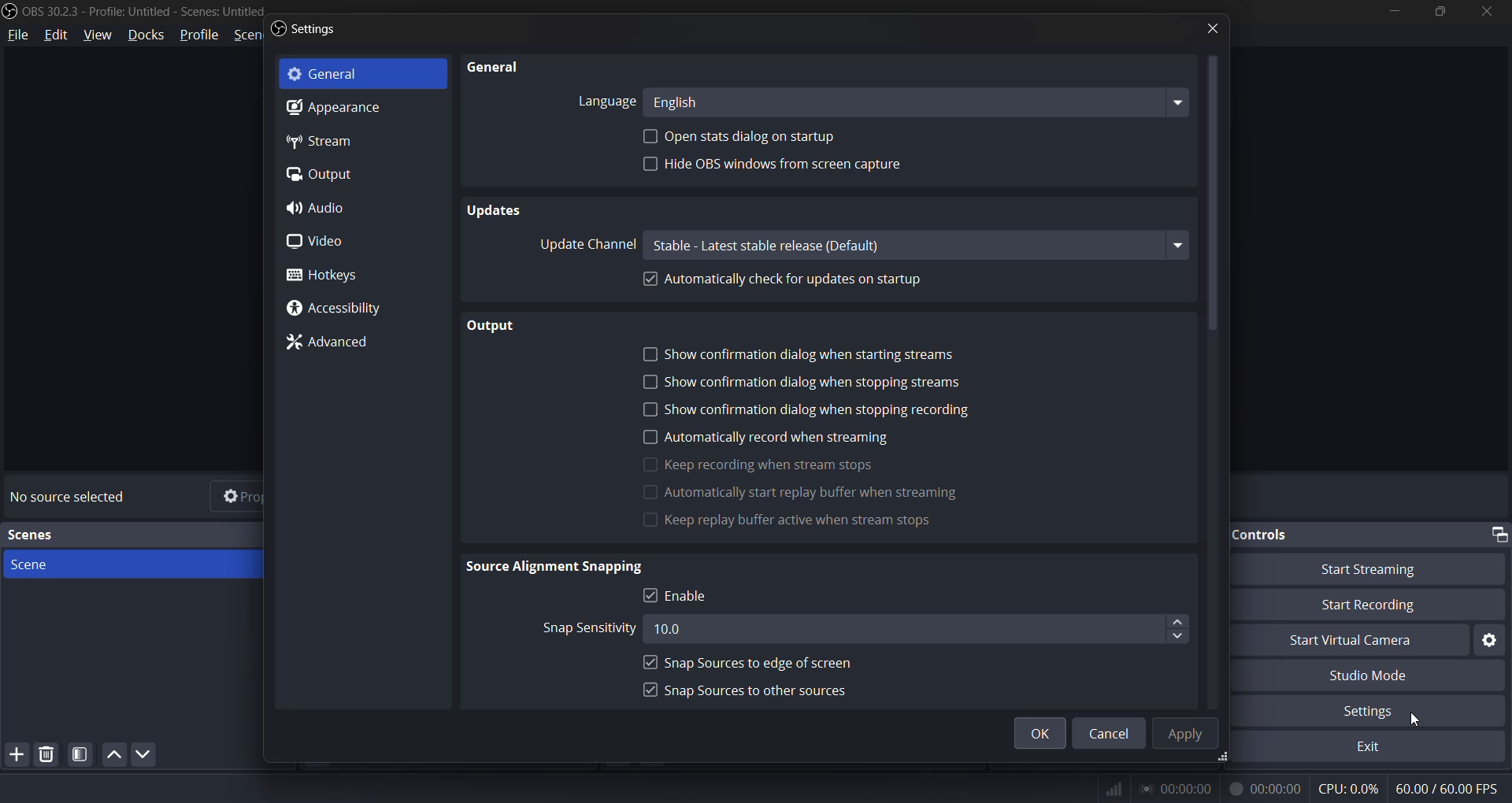  Describe the element at coordinates (37, 565) in the screenshot. I see `scene` at that location.